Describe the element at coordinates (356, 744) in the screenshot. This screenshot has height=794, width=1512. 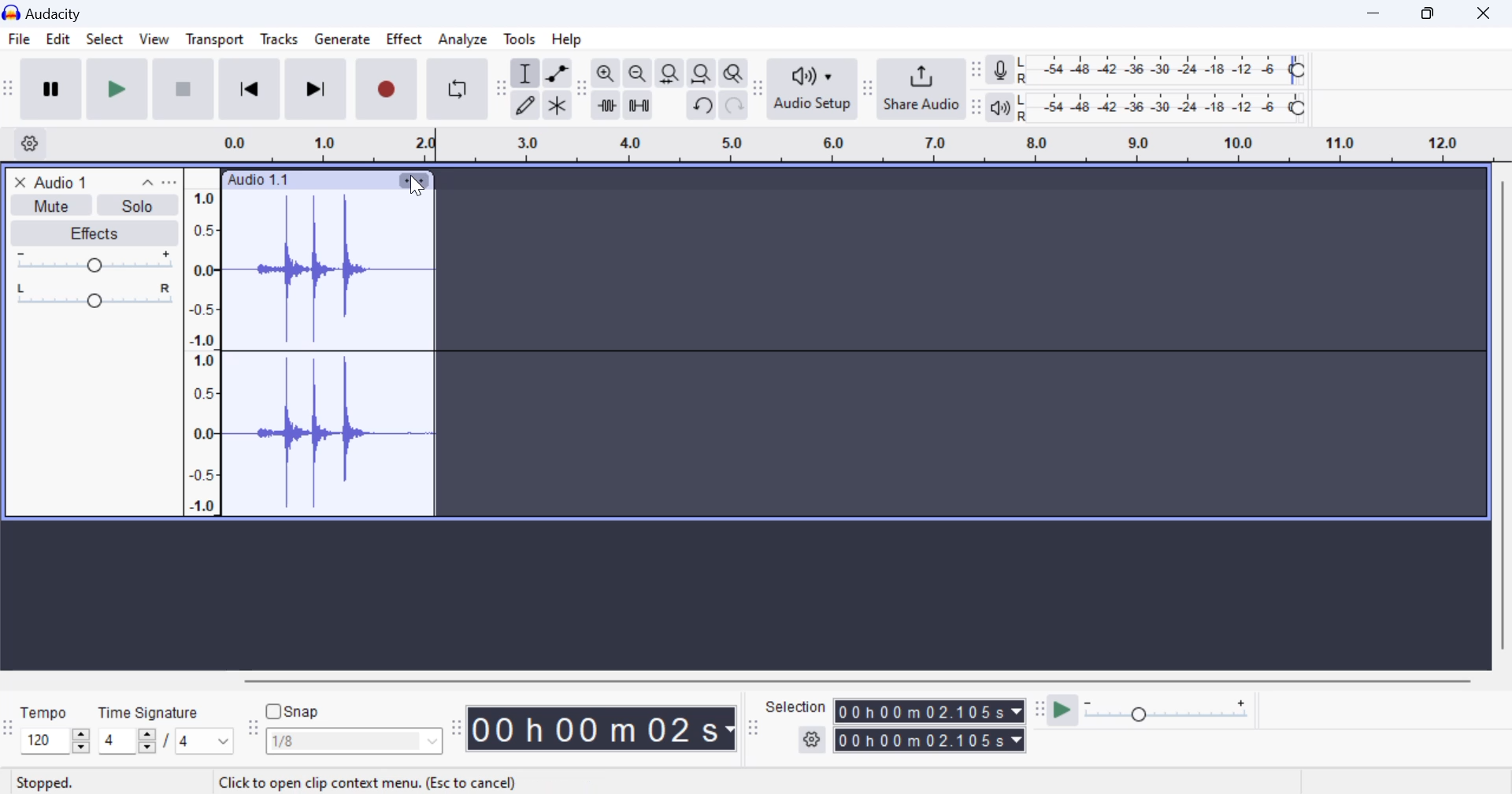
I see `Snap options` at that location.